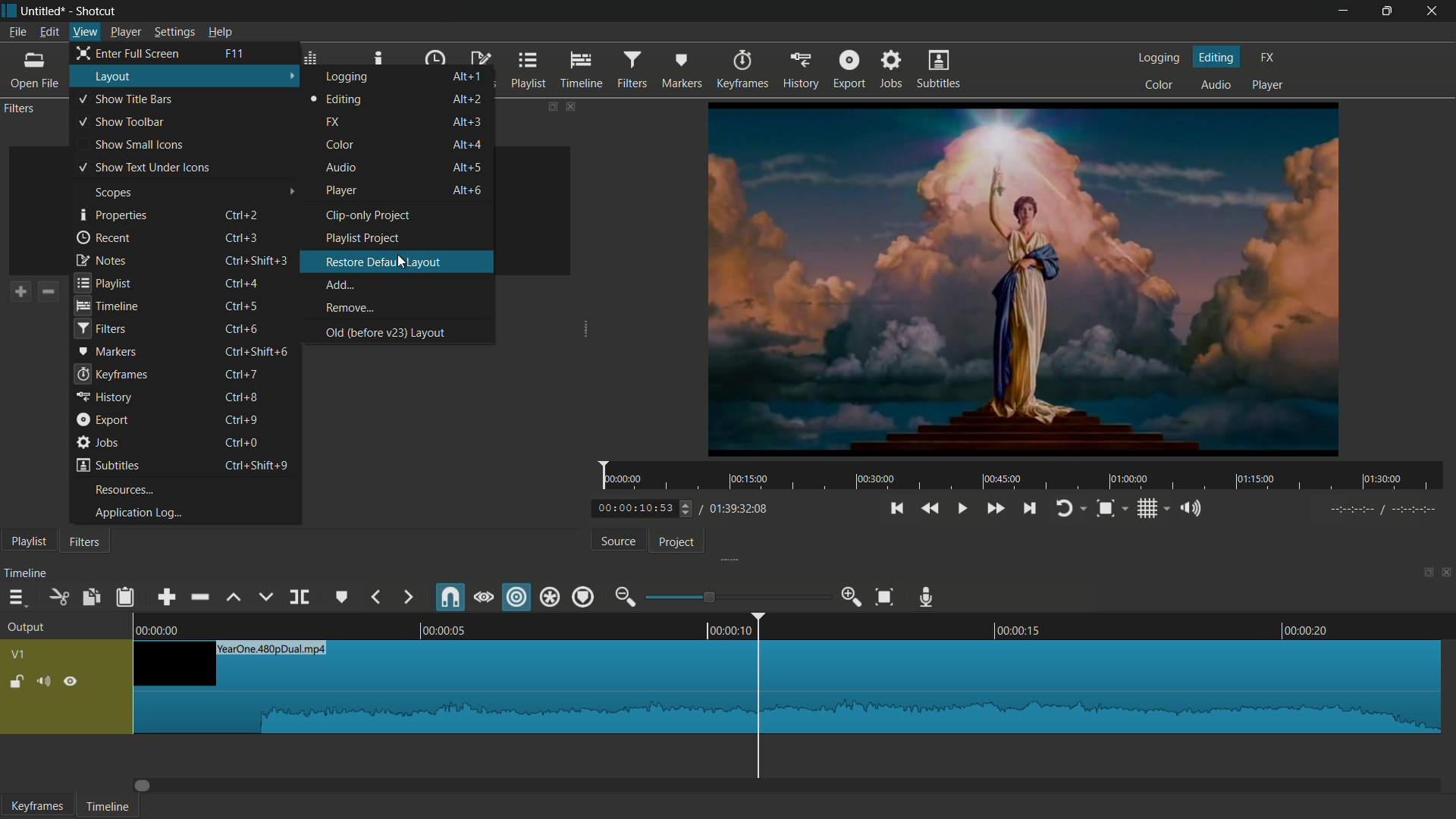  I want to click on clip only project, so click(370, 215).